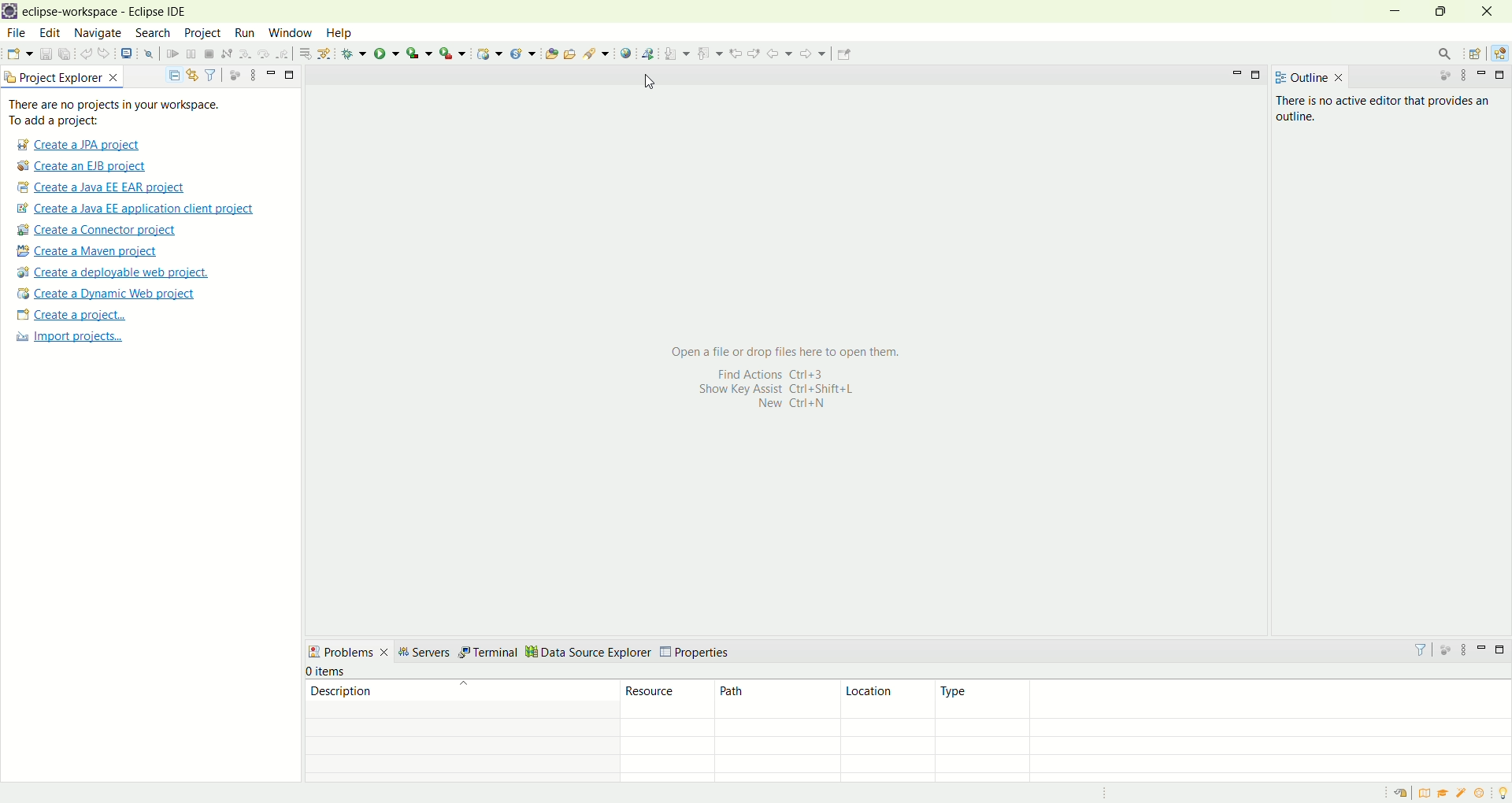  What do you see at coordinates (1443, 794) in the screenshot?
I see `tutorials` at bounding box center [1443, 794].